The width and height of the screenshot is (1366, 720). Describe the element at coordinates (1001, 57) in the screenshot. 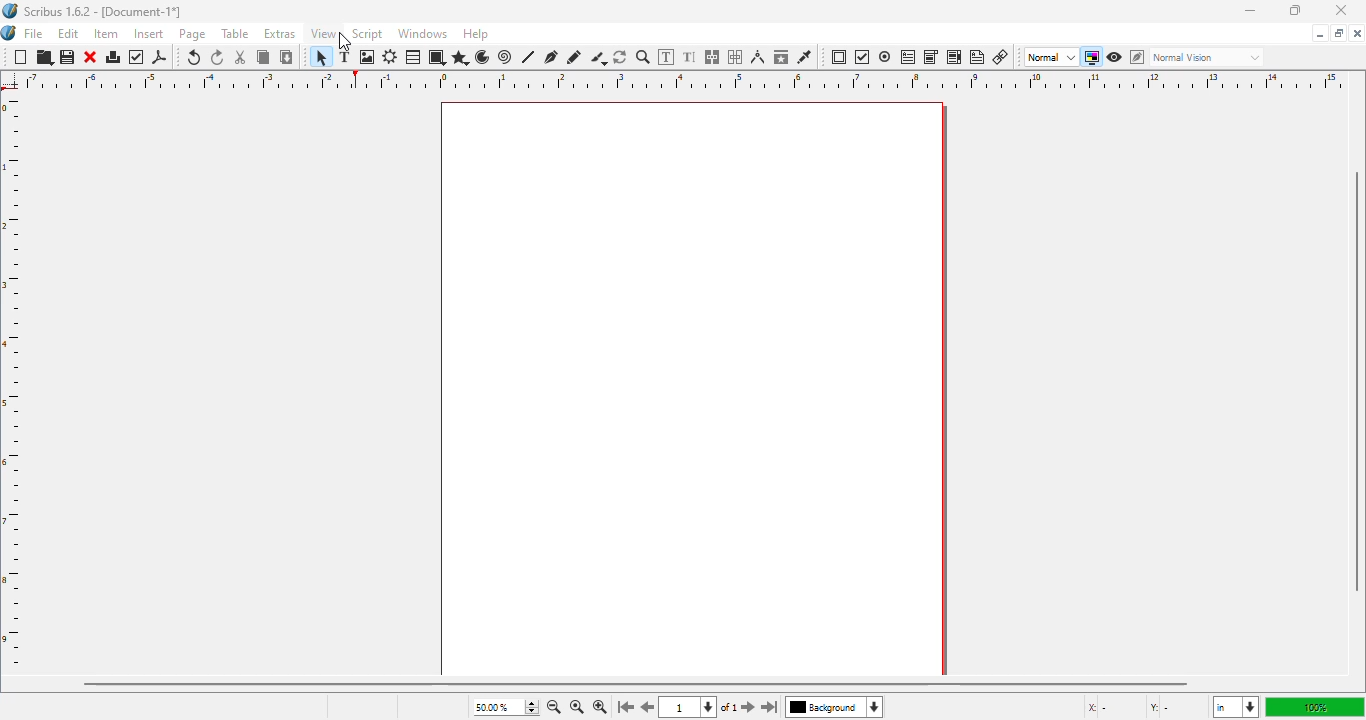

I see `link annotation` at that location.